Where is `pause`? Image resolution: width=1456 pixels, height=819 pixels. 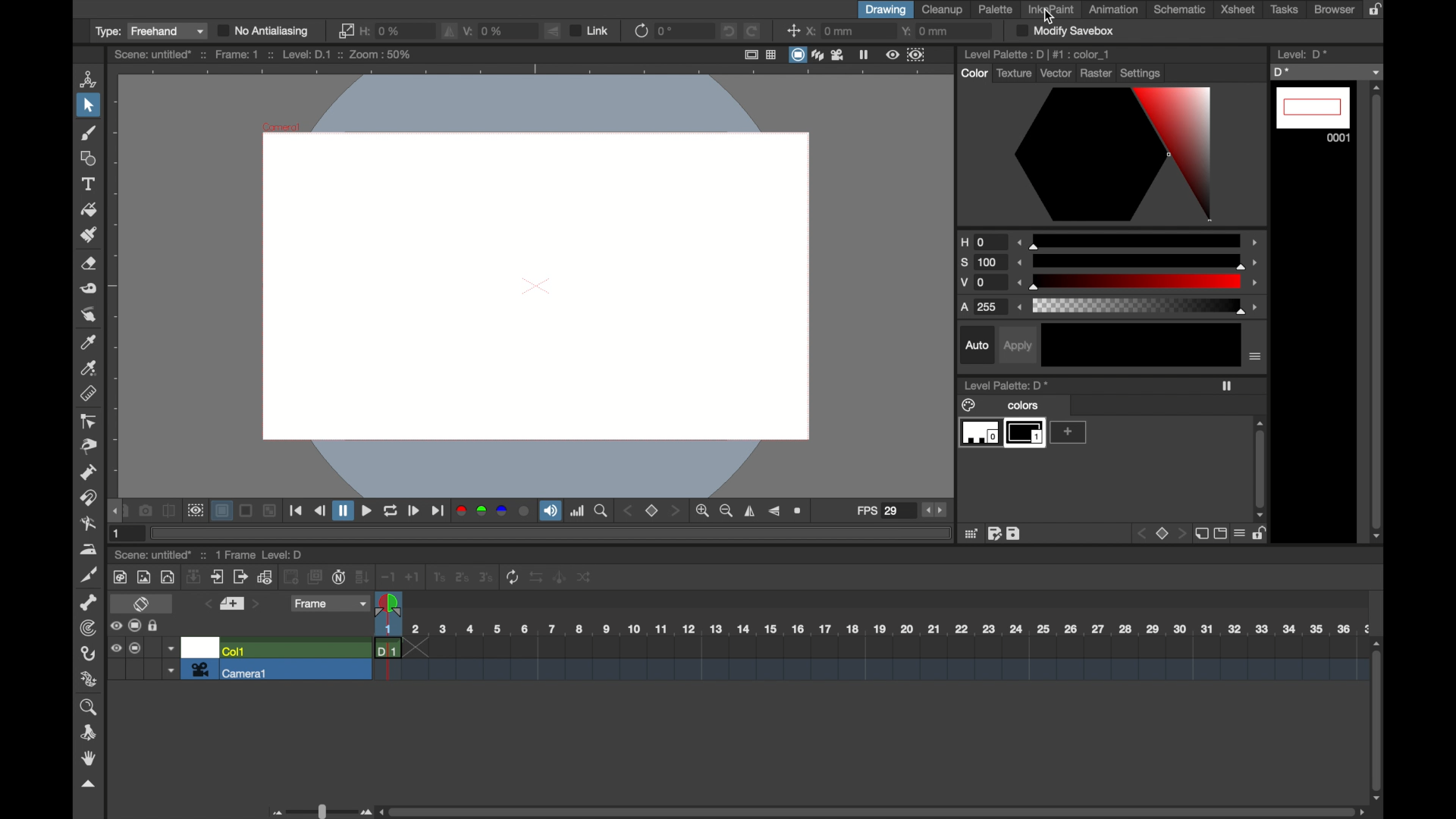 pause is located at coordinates (865, 55).